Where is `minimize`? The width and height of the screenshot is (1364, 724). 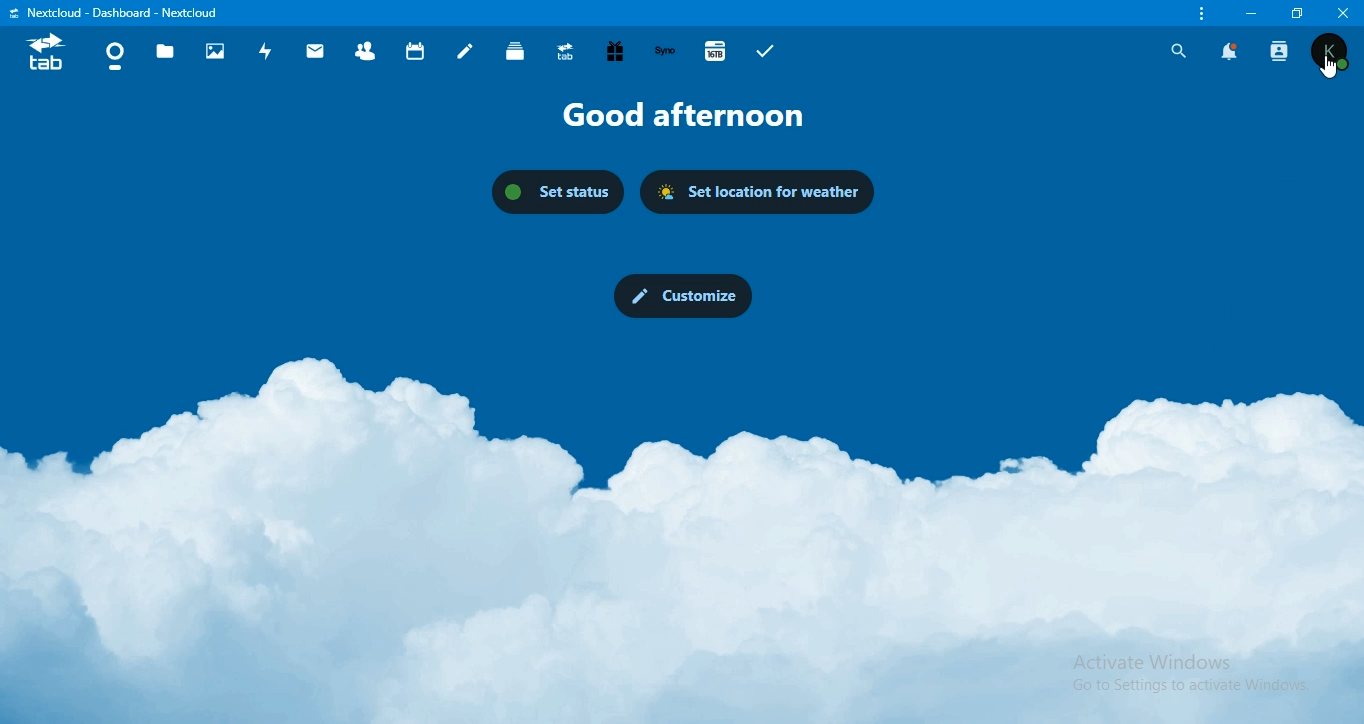
minimize is located at coordinates (1249, 13).